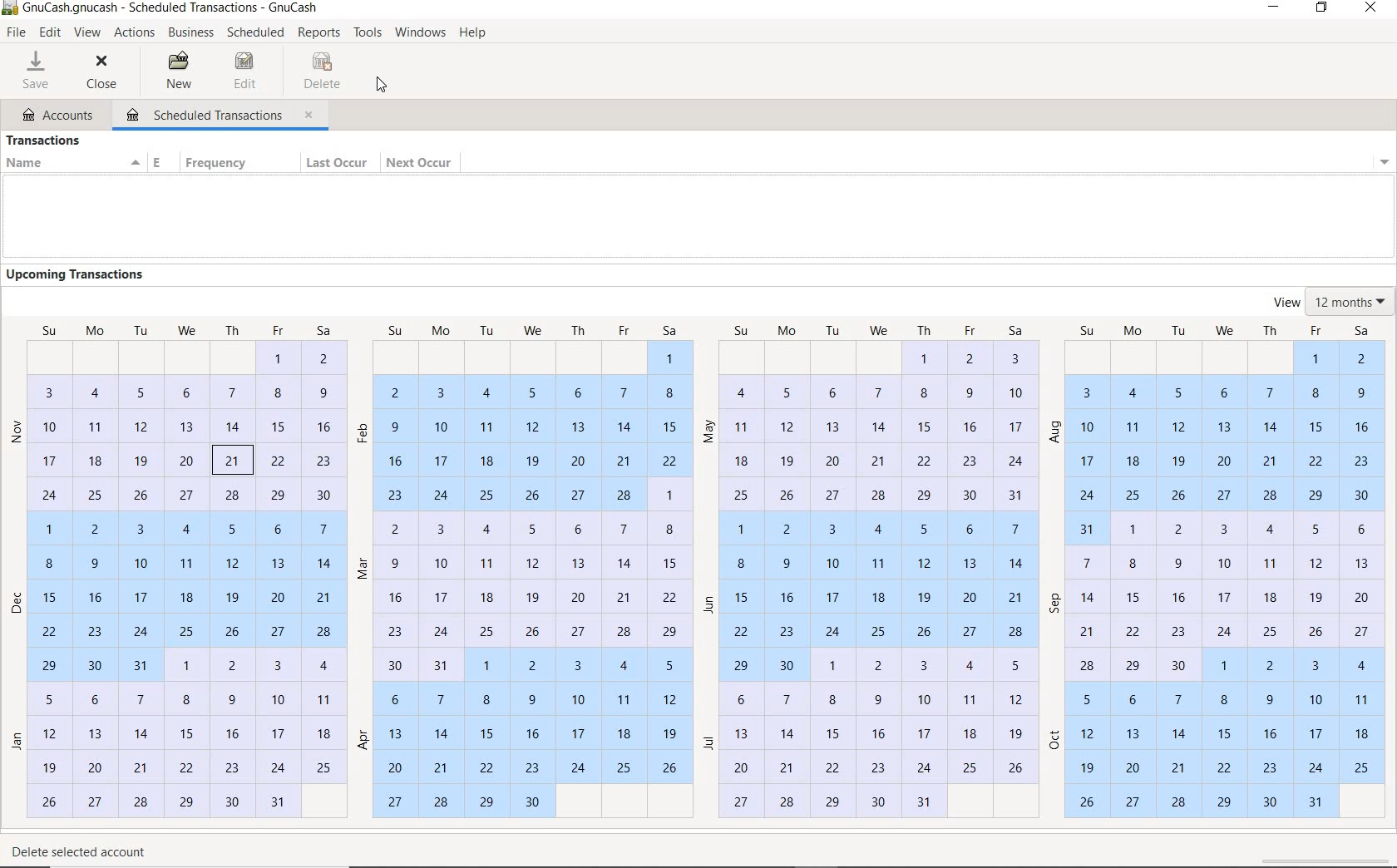  I want to click on SAVE, so click(36, 71).